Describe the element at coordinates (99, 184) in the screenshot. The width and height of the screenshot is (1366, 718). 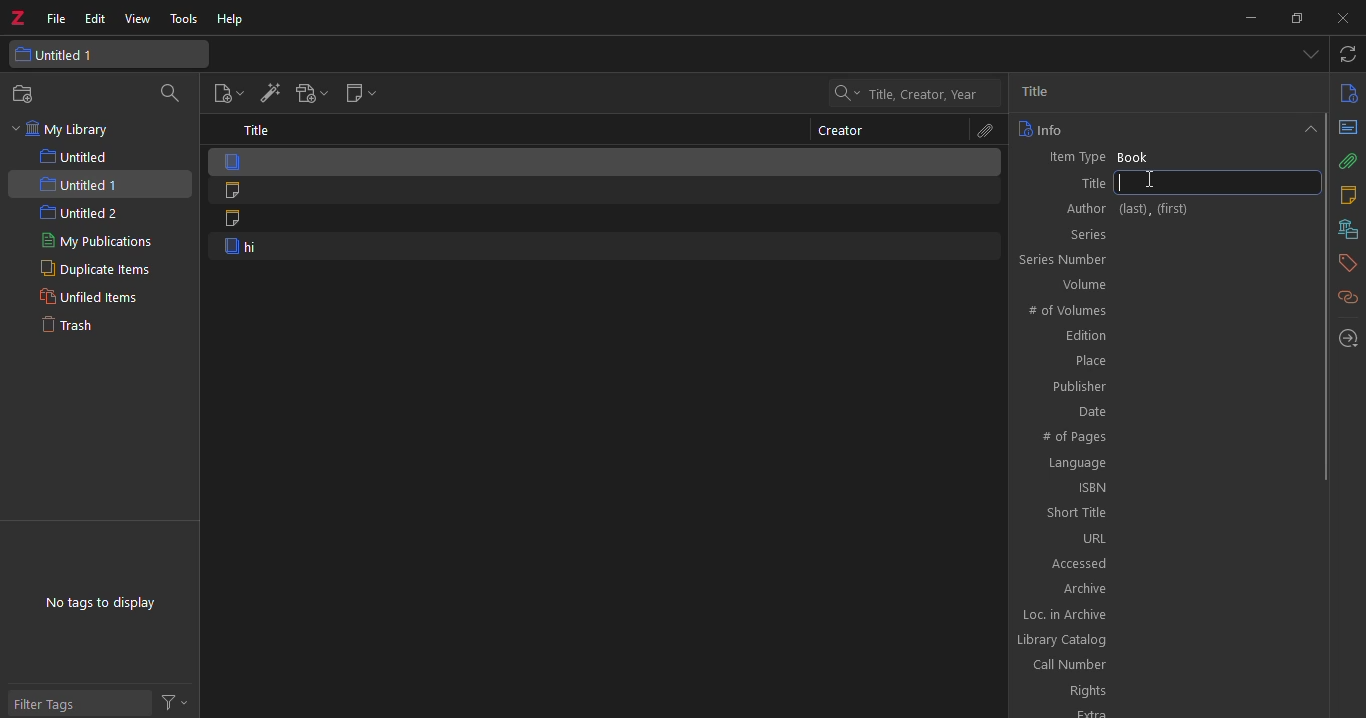
I see `selected untitled 1` at that location.